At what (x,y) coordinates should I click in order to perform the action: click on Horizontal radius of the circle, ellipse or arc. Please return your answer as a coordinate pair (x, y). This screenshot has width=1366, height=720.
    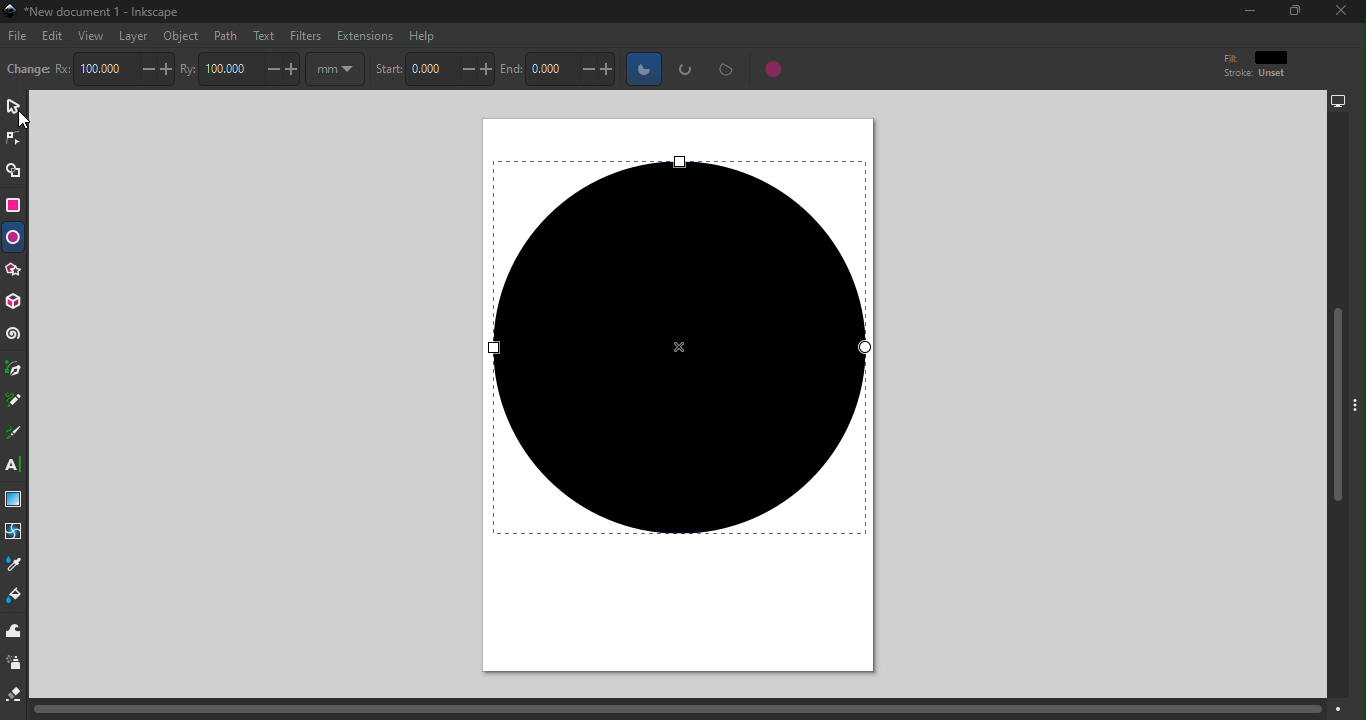
    Looking at the image, I should click on (125, 67).